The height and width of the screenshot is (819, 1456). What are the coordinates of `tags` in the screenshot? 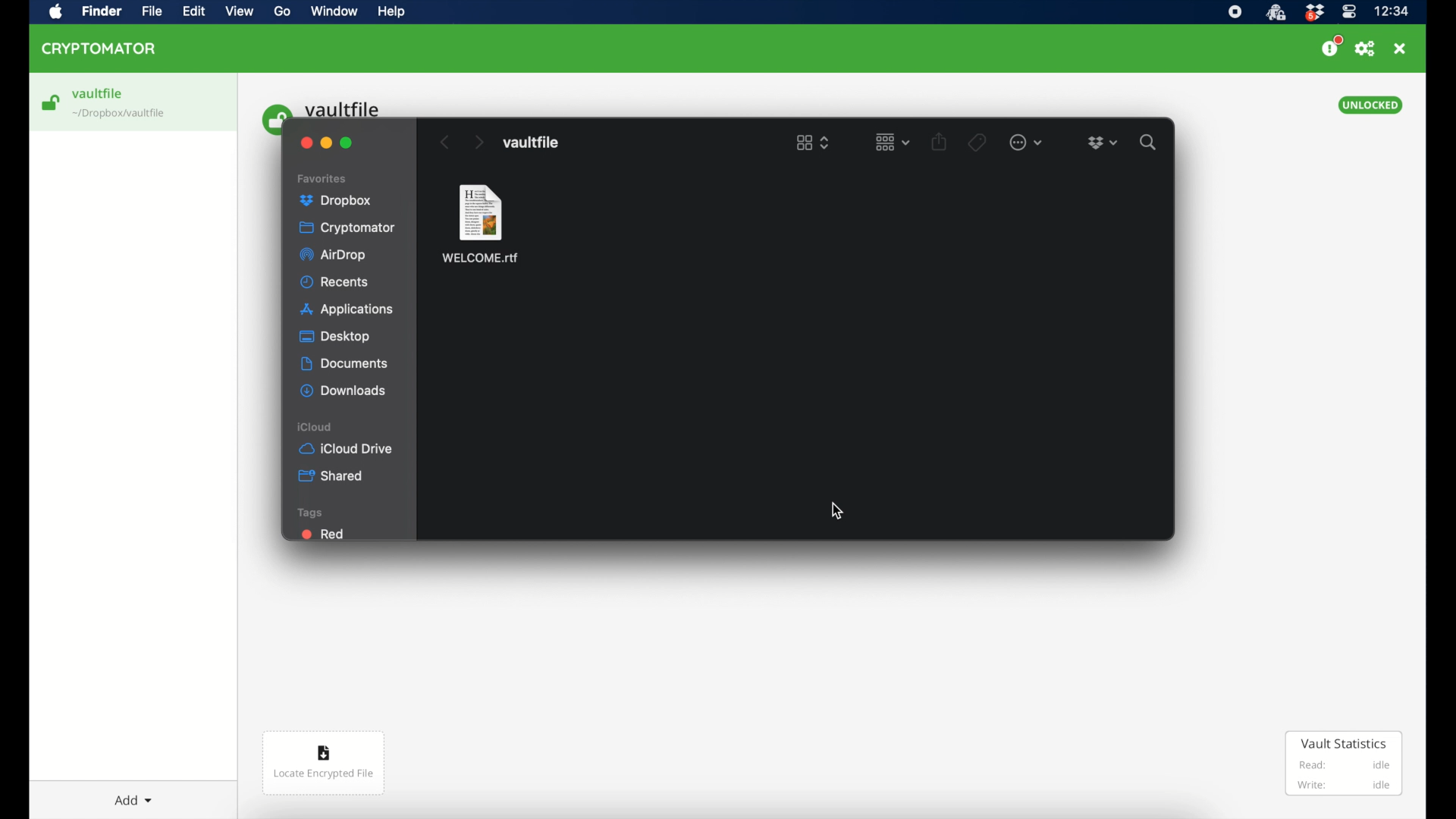 It's located at (977, 142).